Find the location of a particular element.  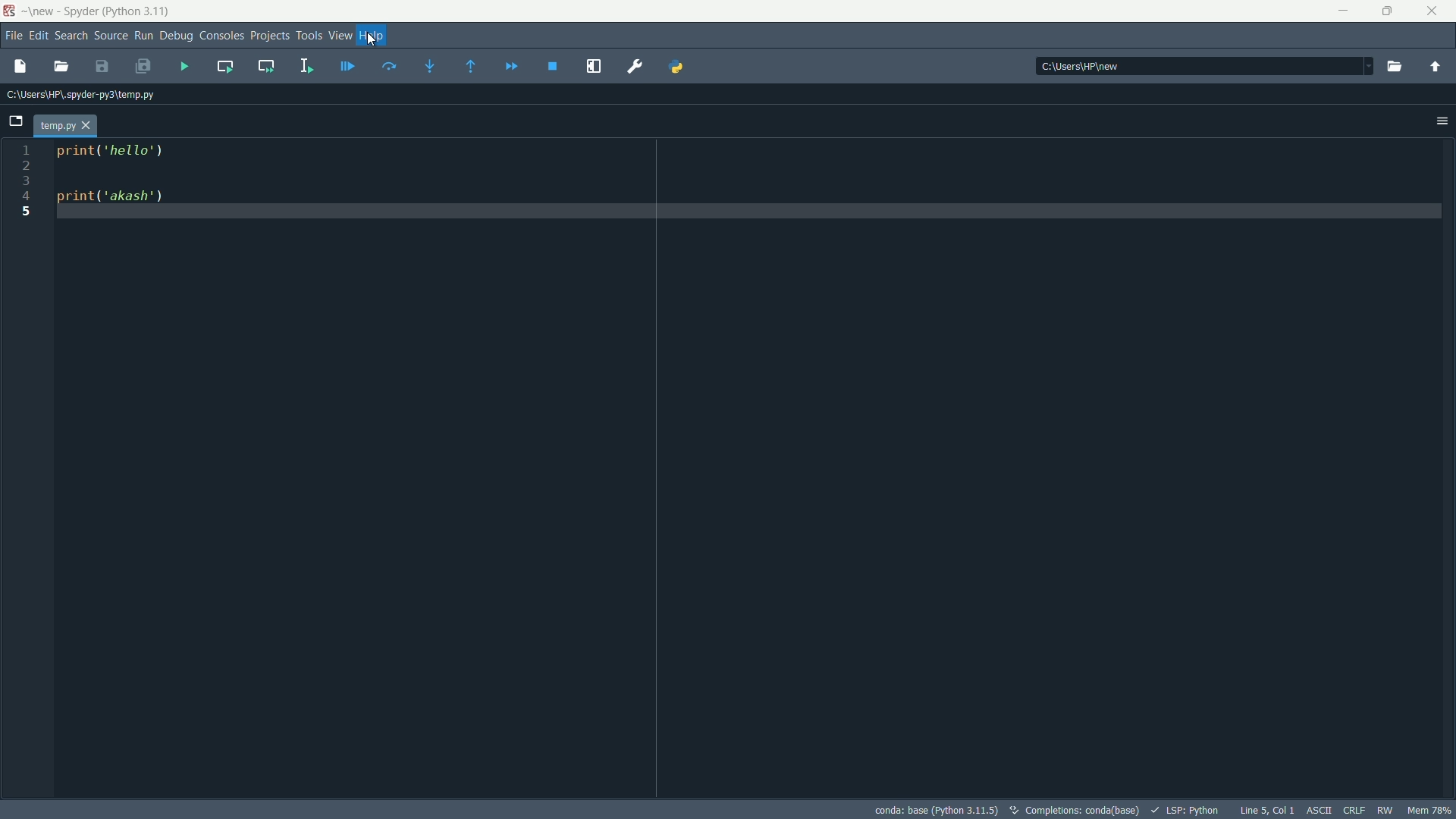

view menu is located at coordinates (340, 35).